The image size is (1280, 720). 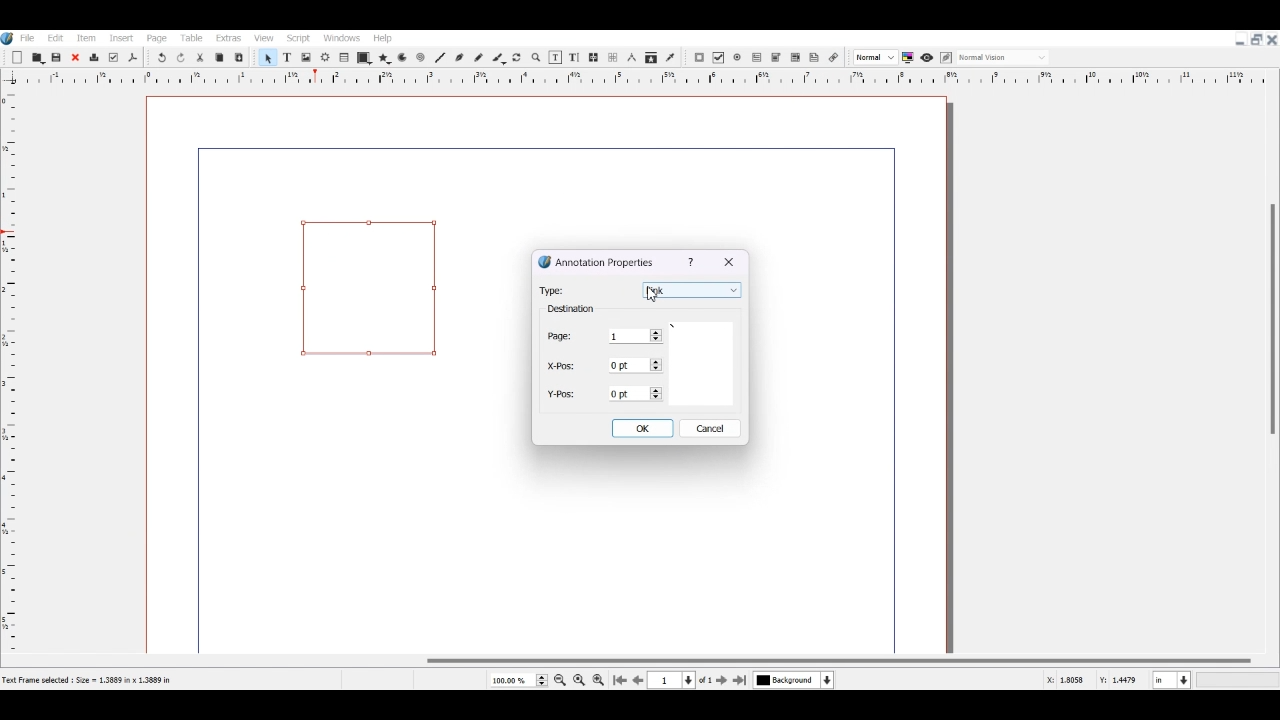 I want to click on Redo, so click(x=182, y=58).